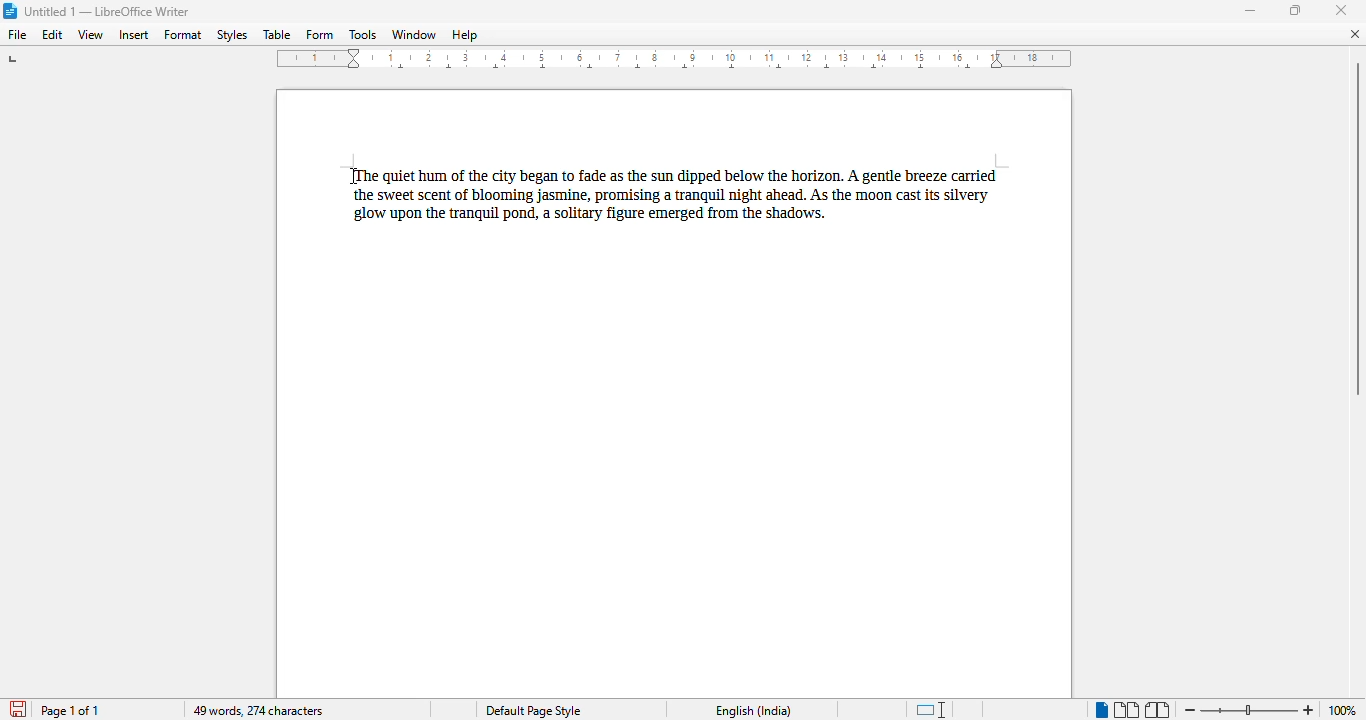 This screenshot has width=1366, height=720. I want to click on insert, so click(134, 35).